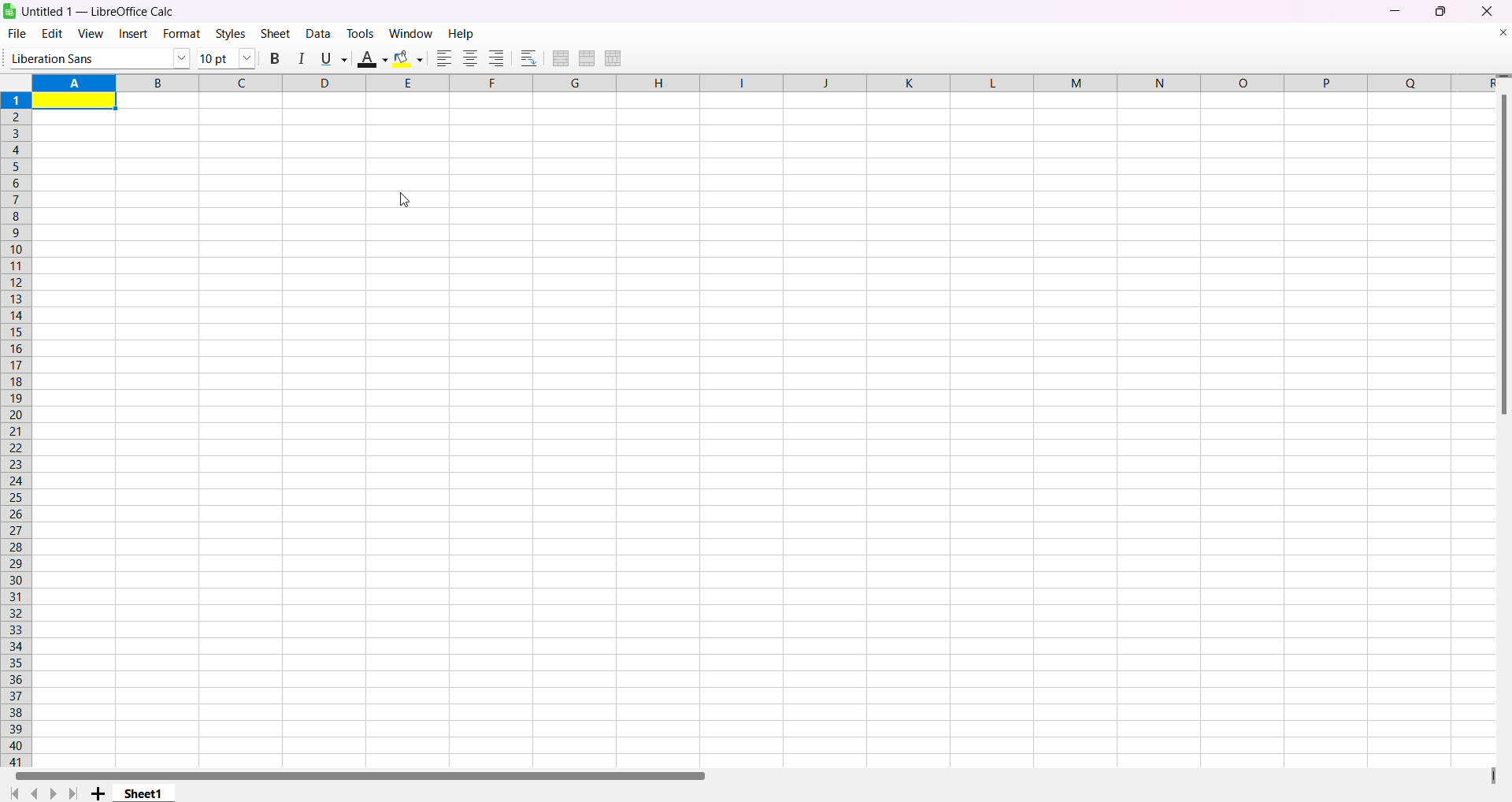  I want to click on sheet, so click(277, 35).